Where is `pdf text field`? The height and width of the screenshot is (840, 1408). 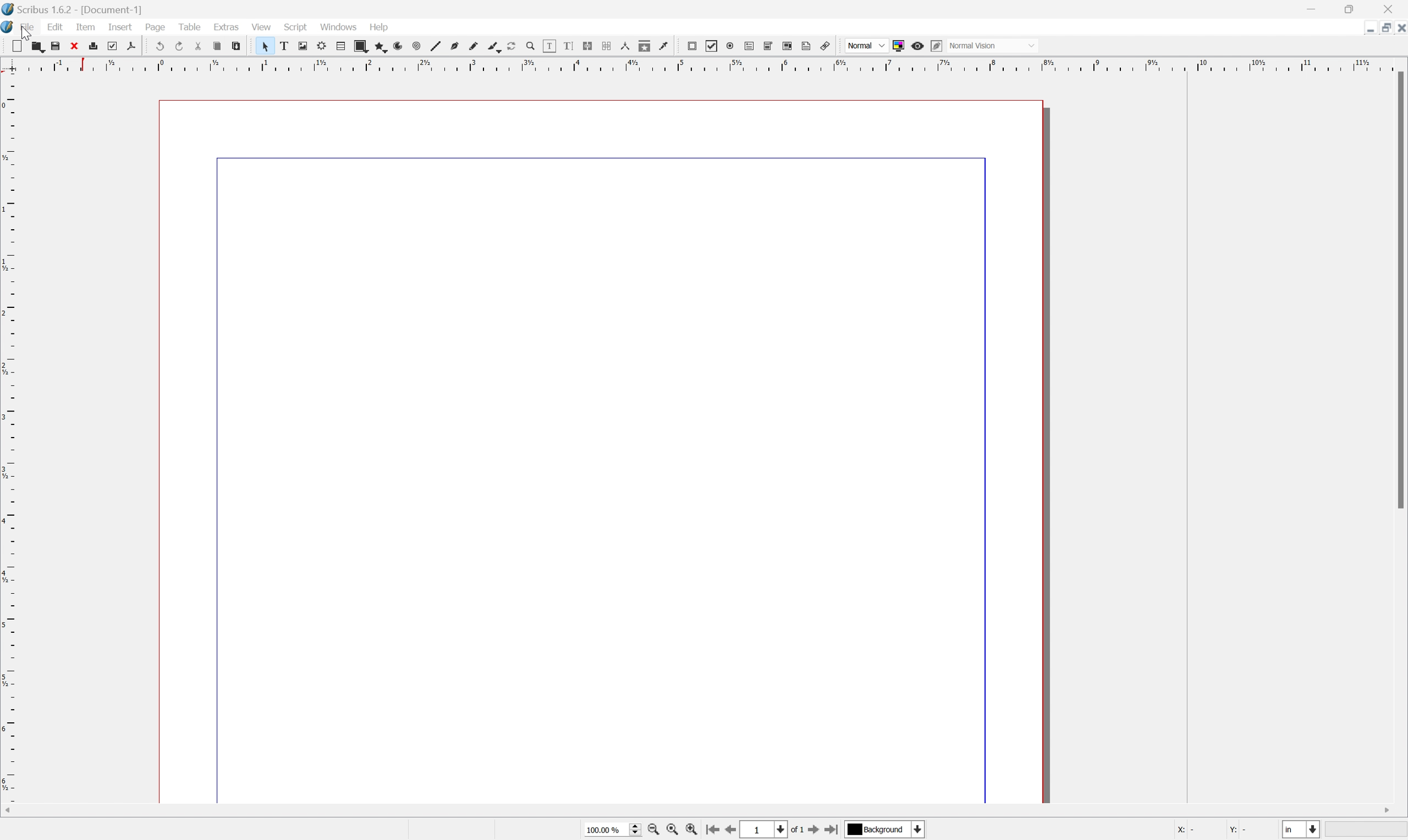
pdf text field is located at coordinates (751, 45).